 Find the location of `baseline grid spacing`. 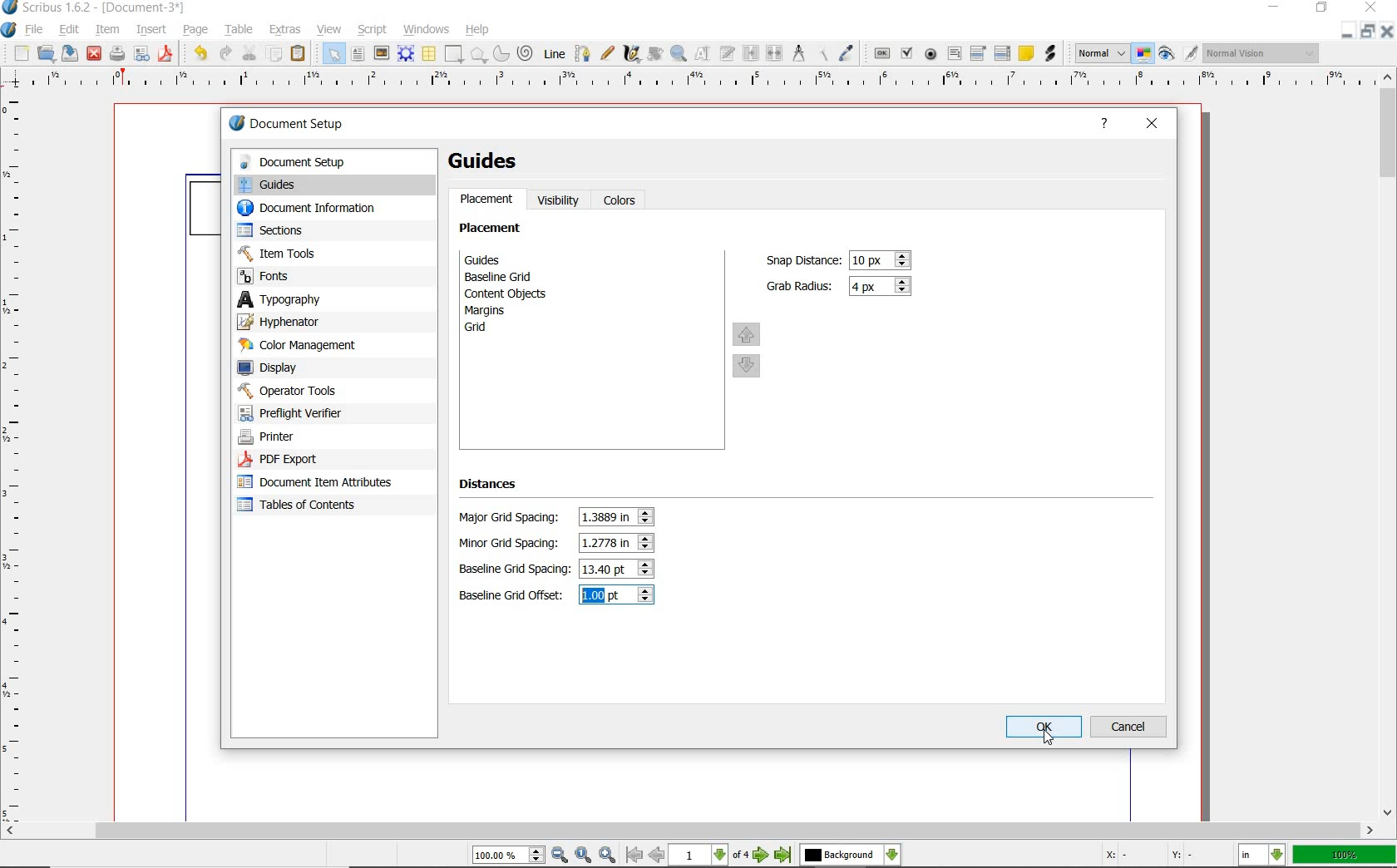

baseline grid spacing is located at coordinates (607, 570).